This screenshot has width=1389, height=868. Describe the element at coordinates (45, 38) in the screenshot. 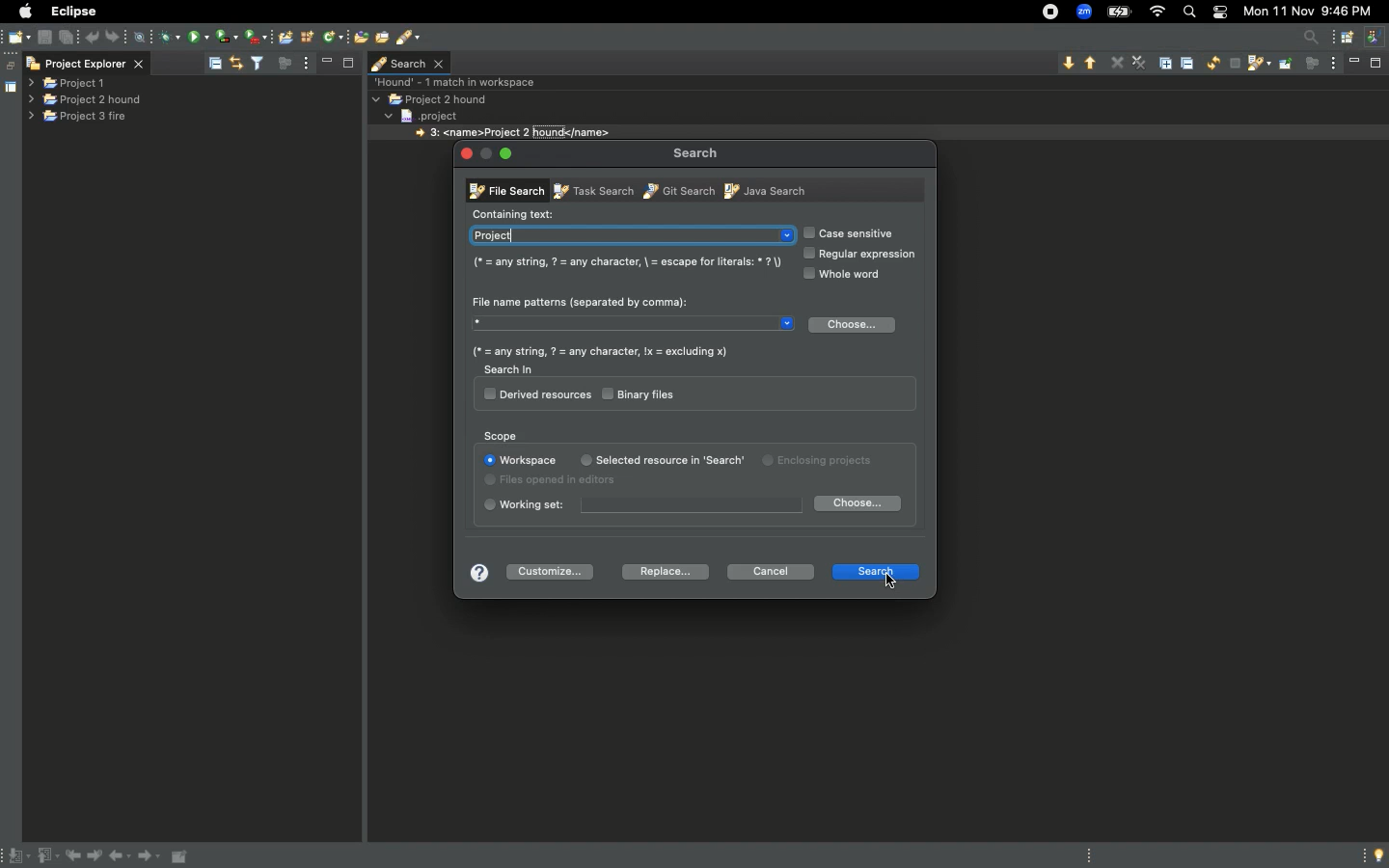

I see `save` at that location.